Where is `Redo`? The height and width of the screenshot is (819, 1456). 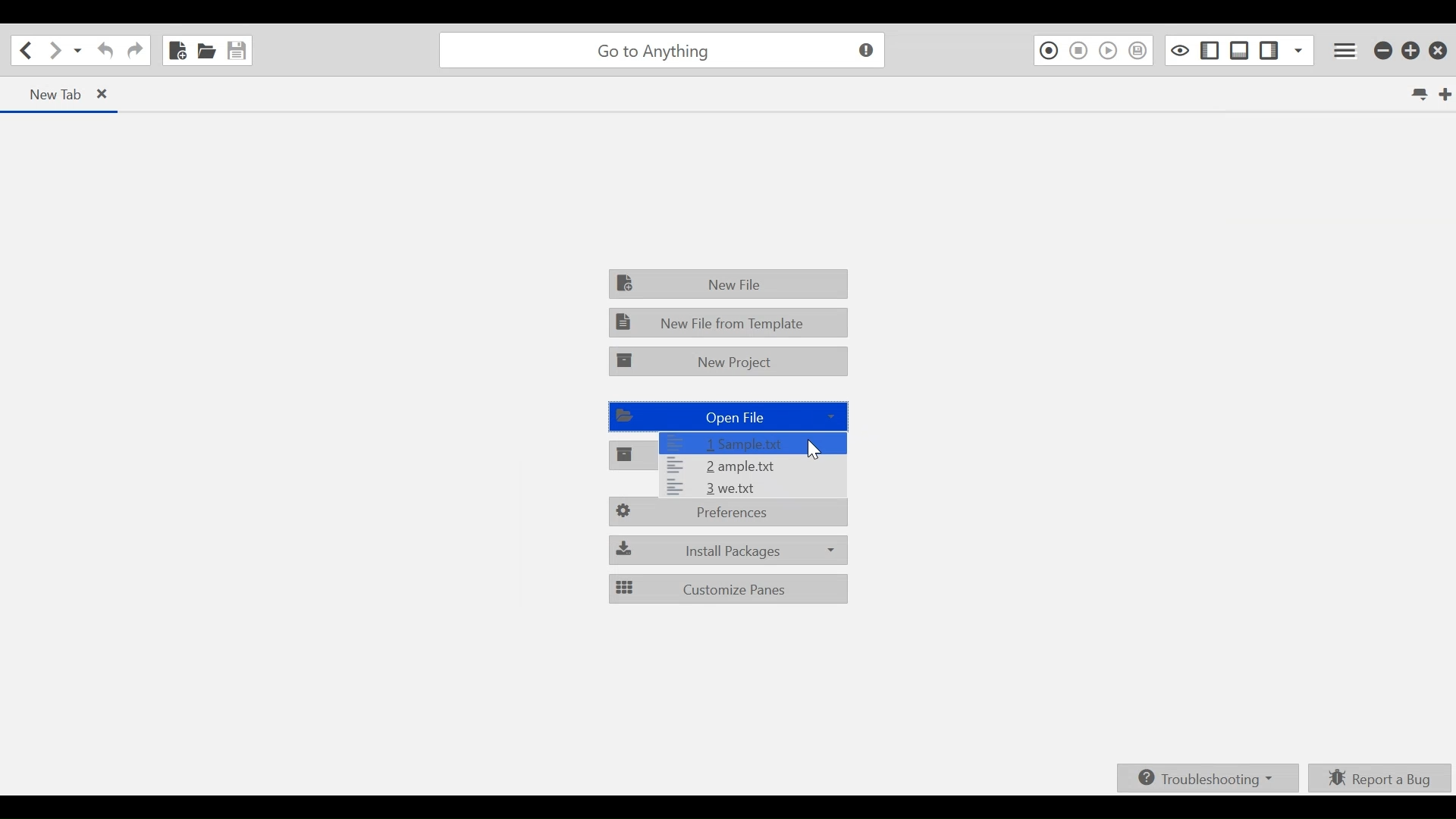
Redo is located at coordinates (135, 50).